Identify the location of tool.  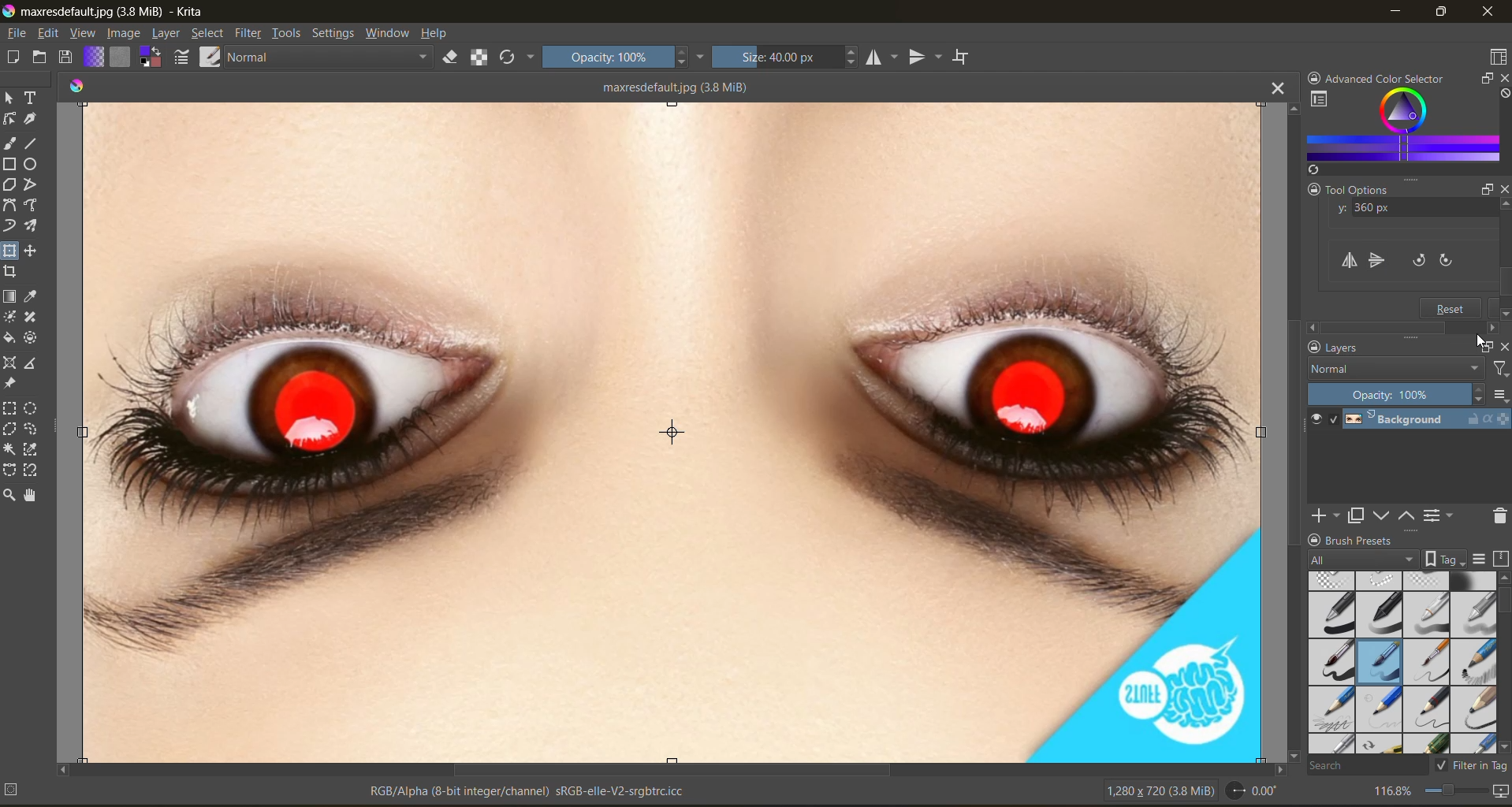
(35, 493).